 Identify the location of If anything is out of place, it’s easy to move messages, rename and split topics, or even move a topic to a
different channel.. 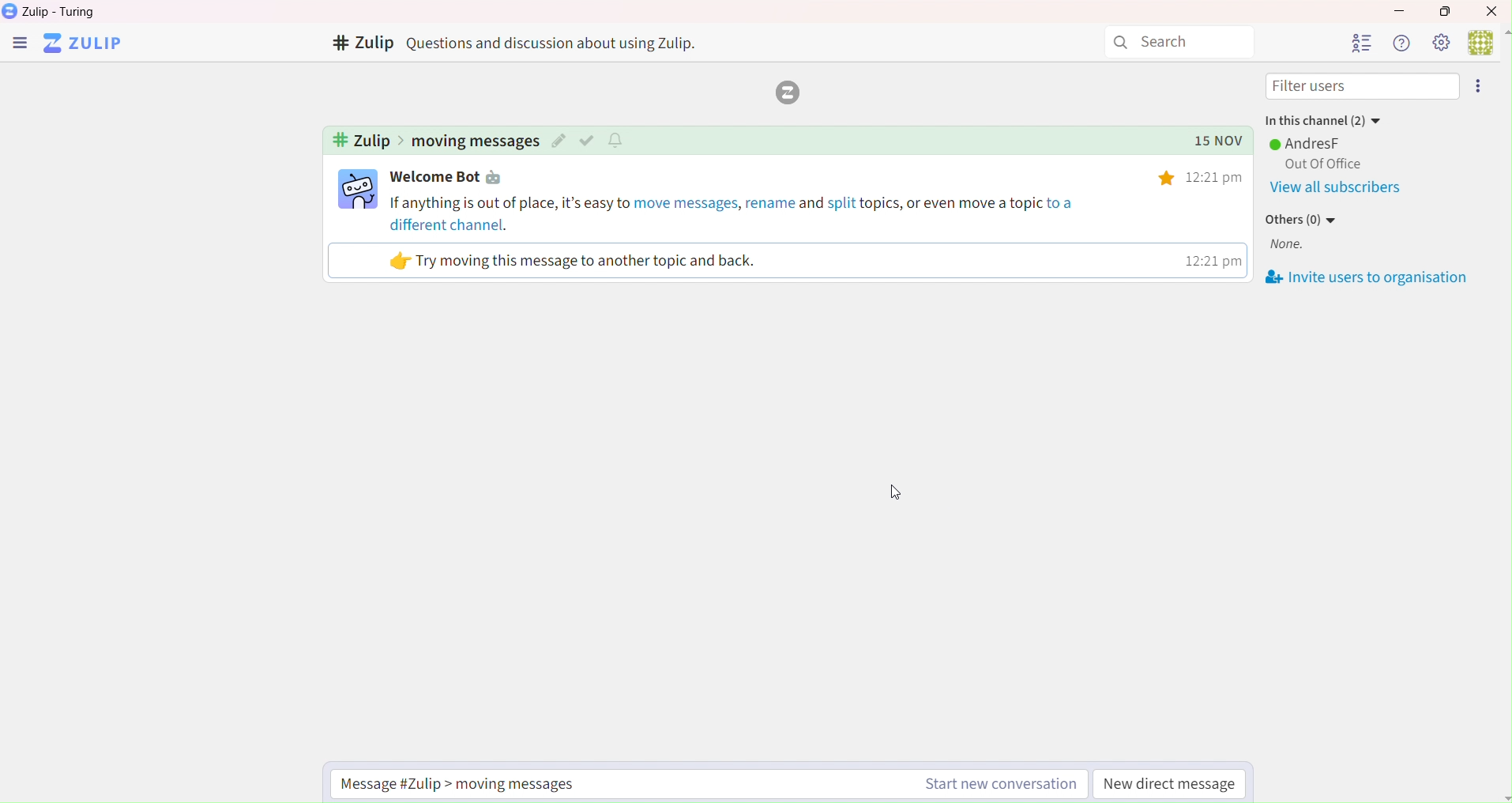
(735, 213).